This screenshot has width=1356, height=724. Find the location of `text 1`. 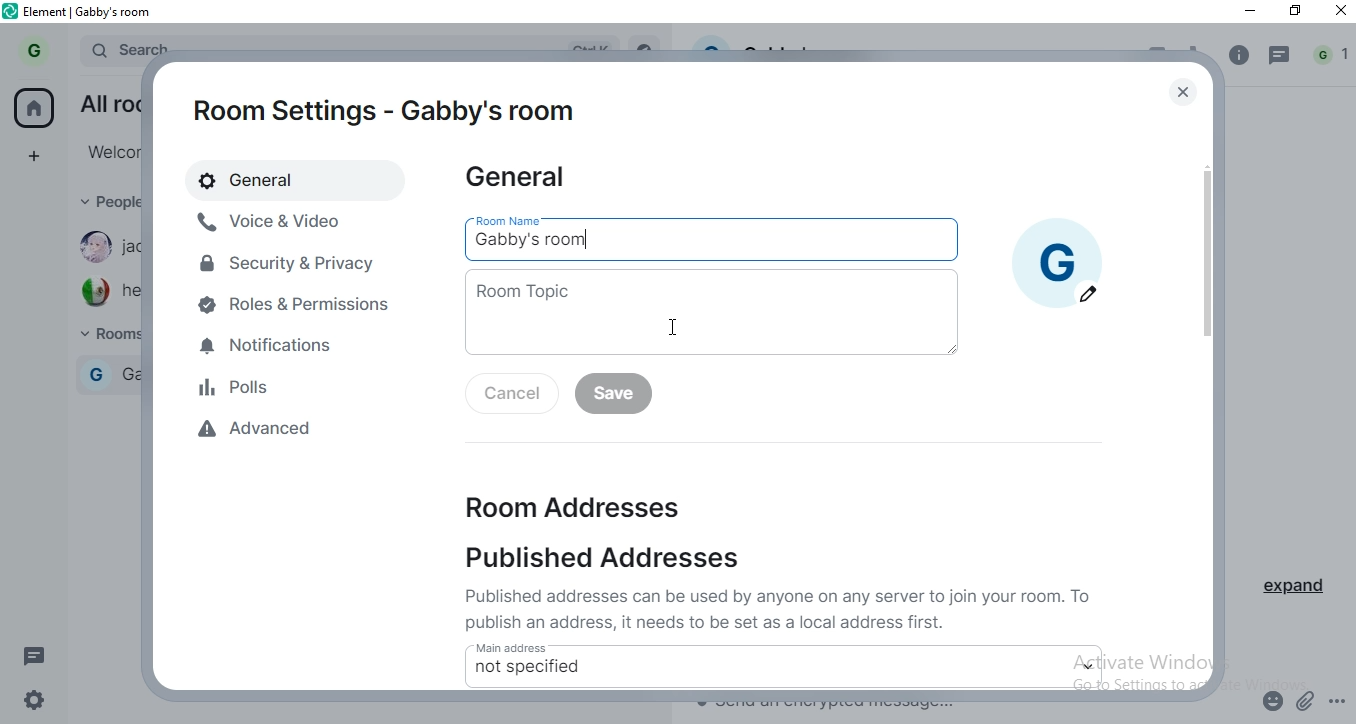

text 1 is located at coordinates (783, 608).